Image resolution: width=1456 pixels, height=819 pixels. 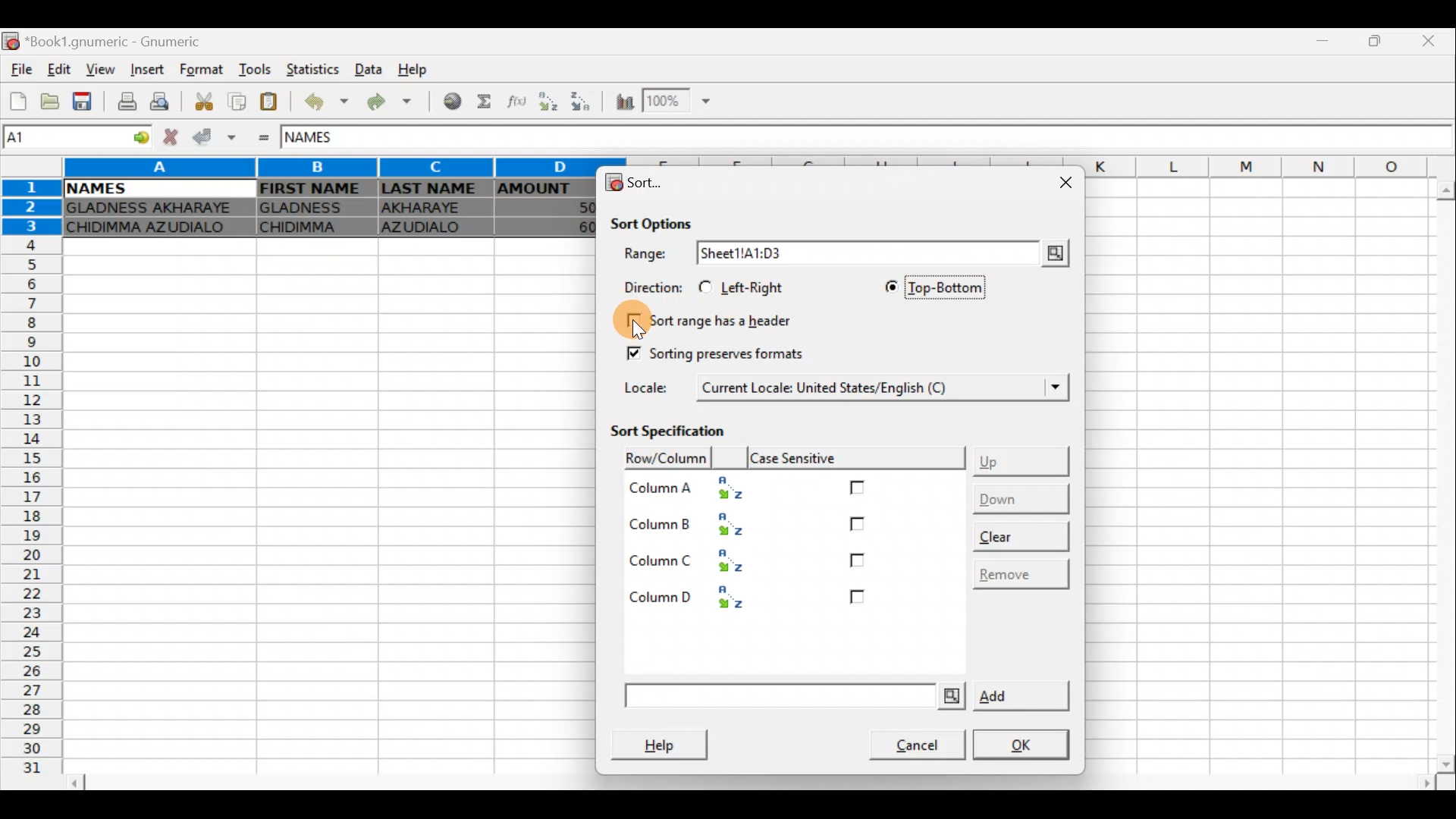 What do you see at coordinates (128, 99) in the screenshot?
I see `Print current file` at bounding box center [128, 99].